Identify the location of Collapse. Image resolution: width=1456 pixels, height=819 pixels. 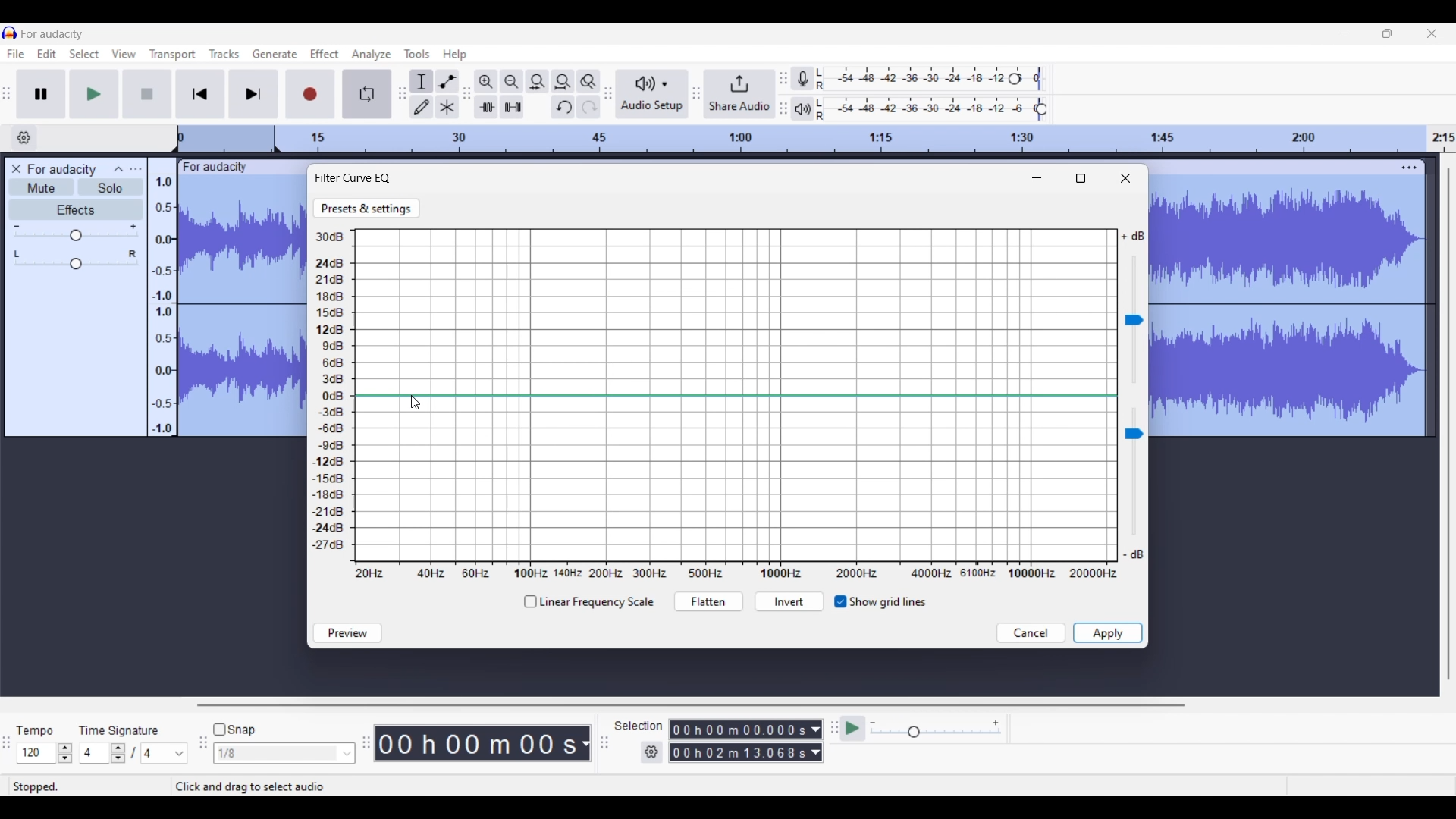
(119, 168).